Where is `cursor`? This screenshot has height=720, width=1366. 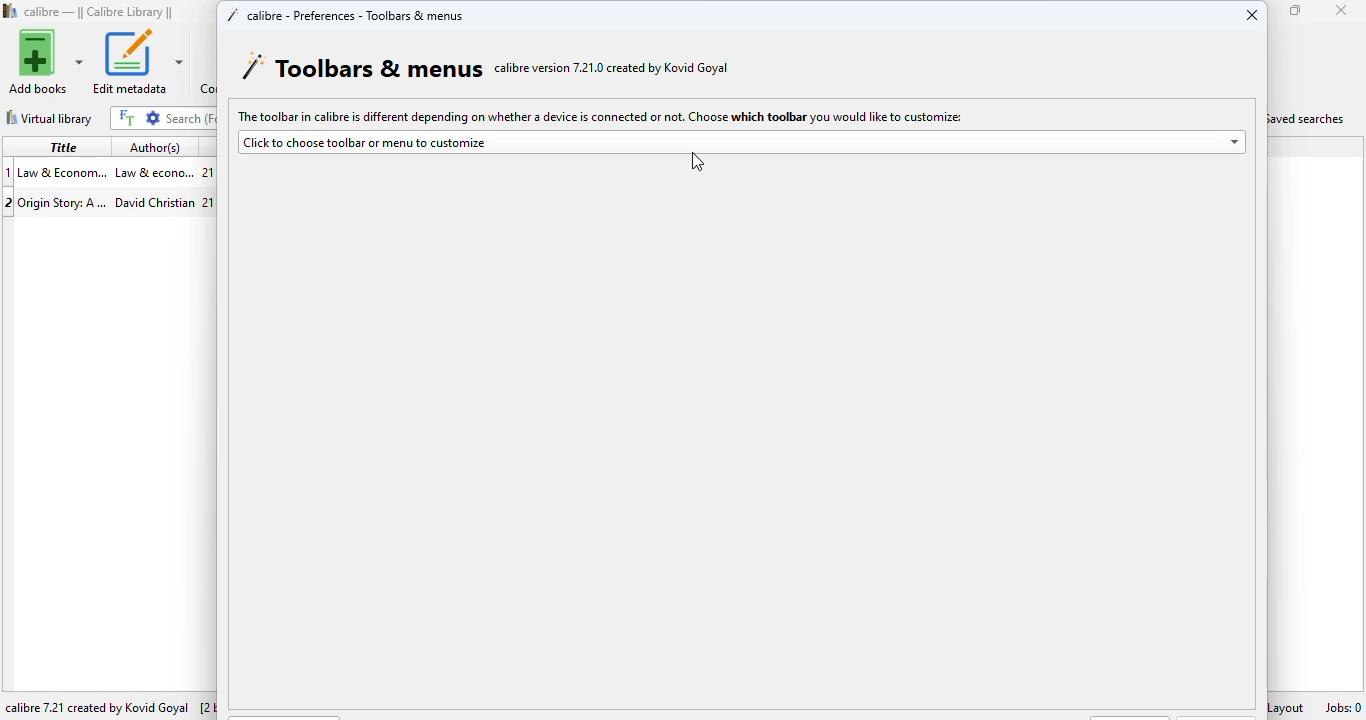 cursor is located at coordinates (697, 163).